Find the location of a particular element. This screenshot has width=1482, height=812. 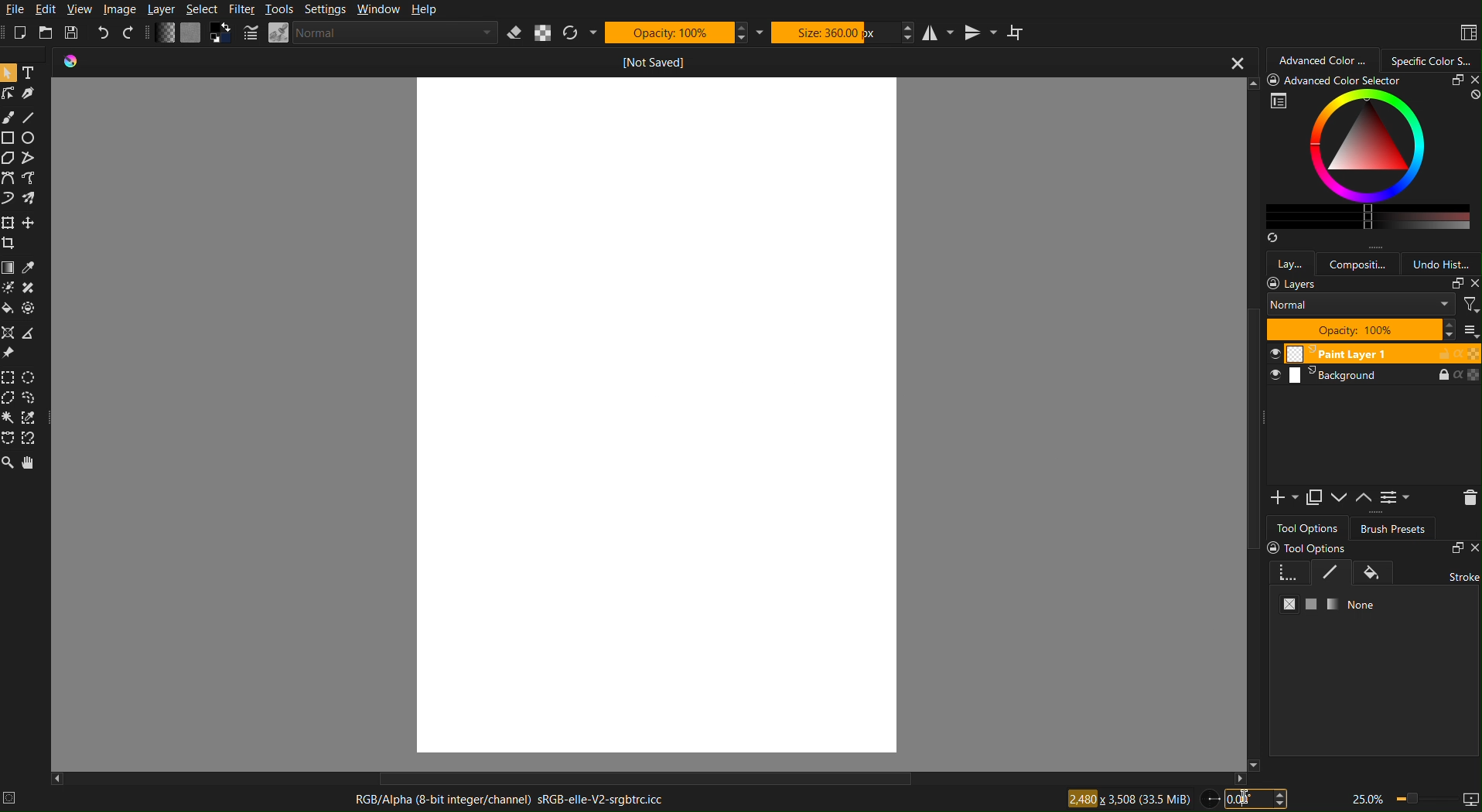

Text is located at coordinates (30, 71).